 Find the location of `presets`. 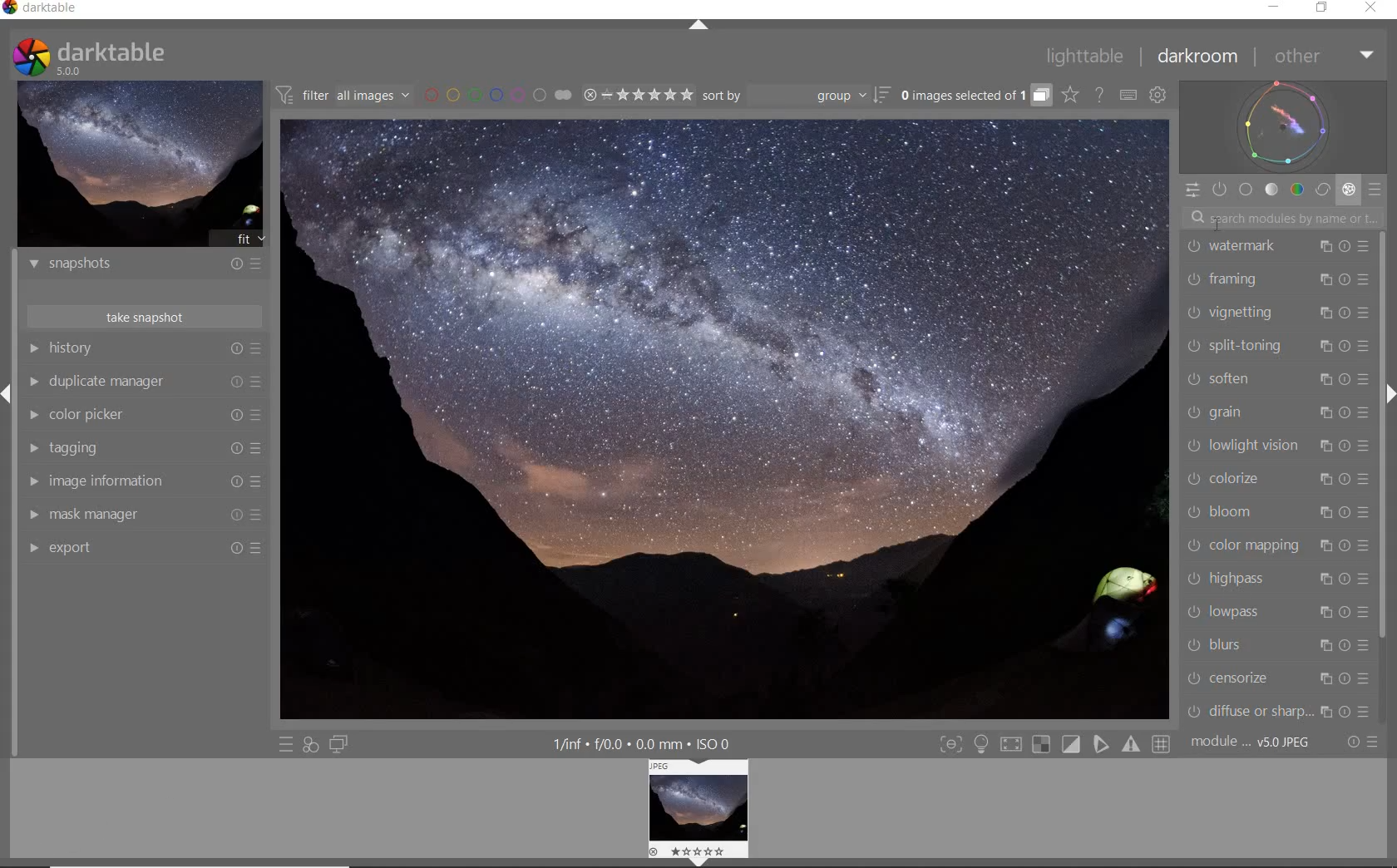

presets is located at coordinates (1370, 679).